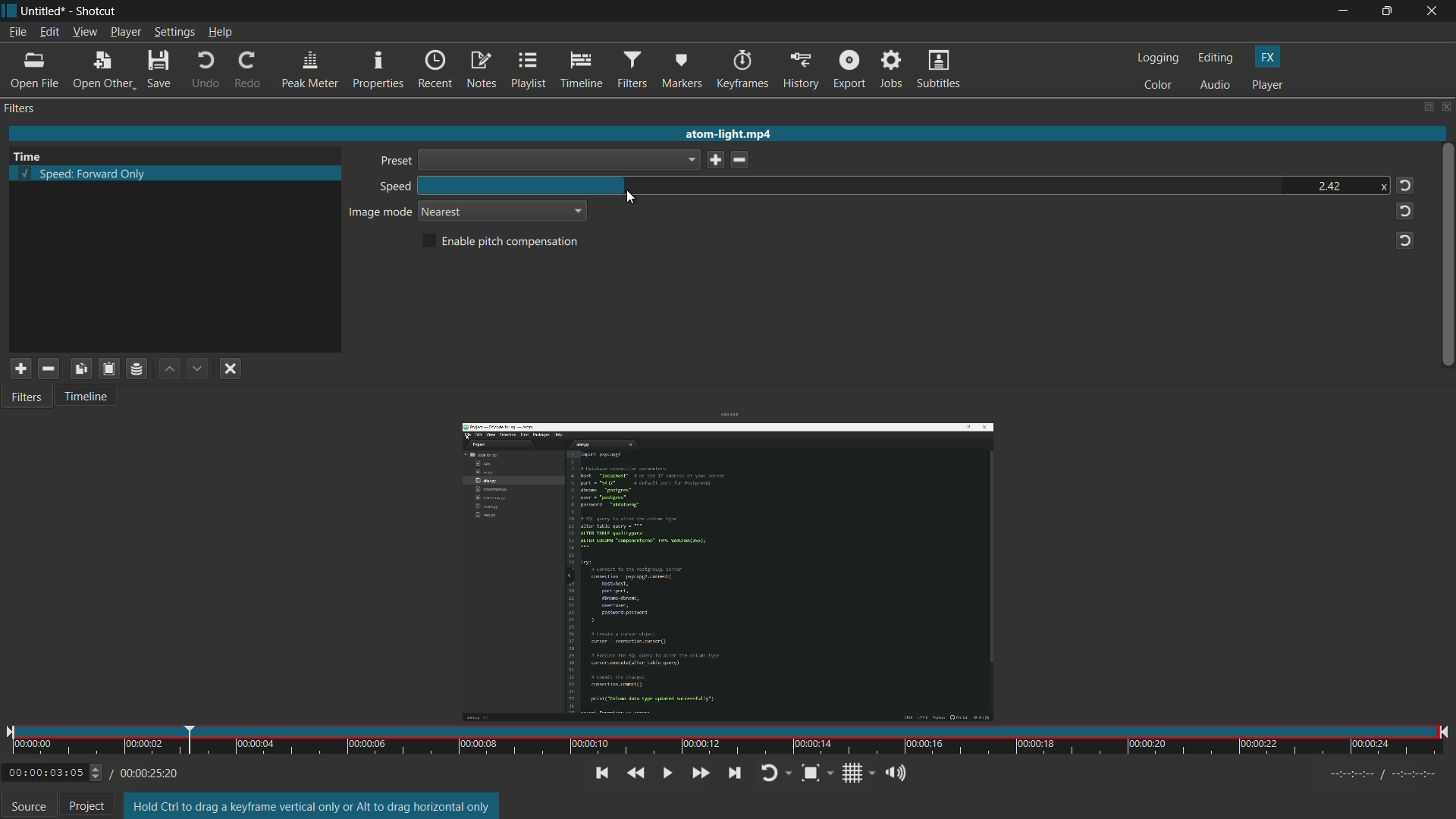 The width and height of the screenshot is (1456, 819). What do you see at coordinates (198, 369) in the screenshot?
I see `move filter down` at bounding box center [198, 369].